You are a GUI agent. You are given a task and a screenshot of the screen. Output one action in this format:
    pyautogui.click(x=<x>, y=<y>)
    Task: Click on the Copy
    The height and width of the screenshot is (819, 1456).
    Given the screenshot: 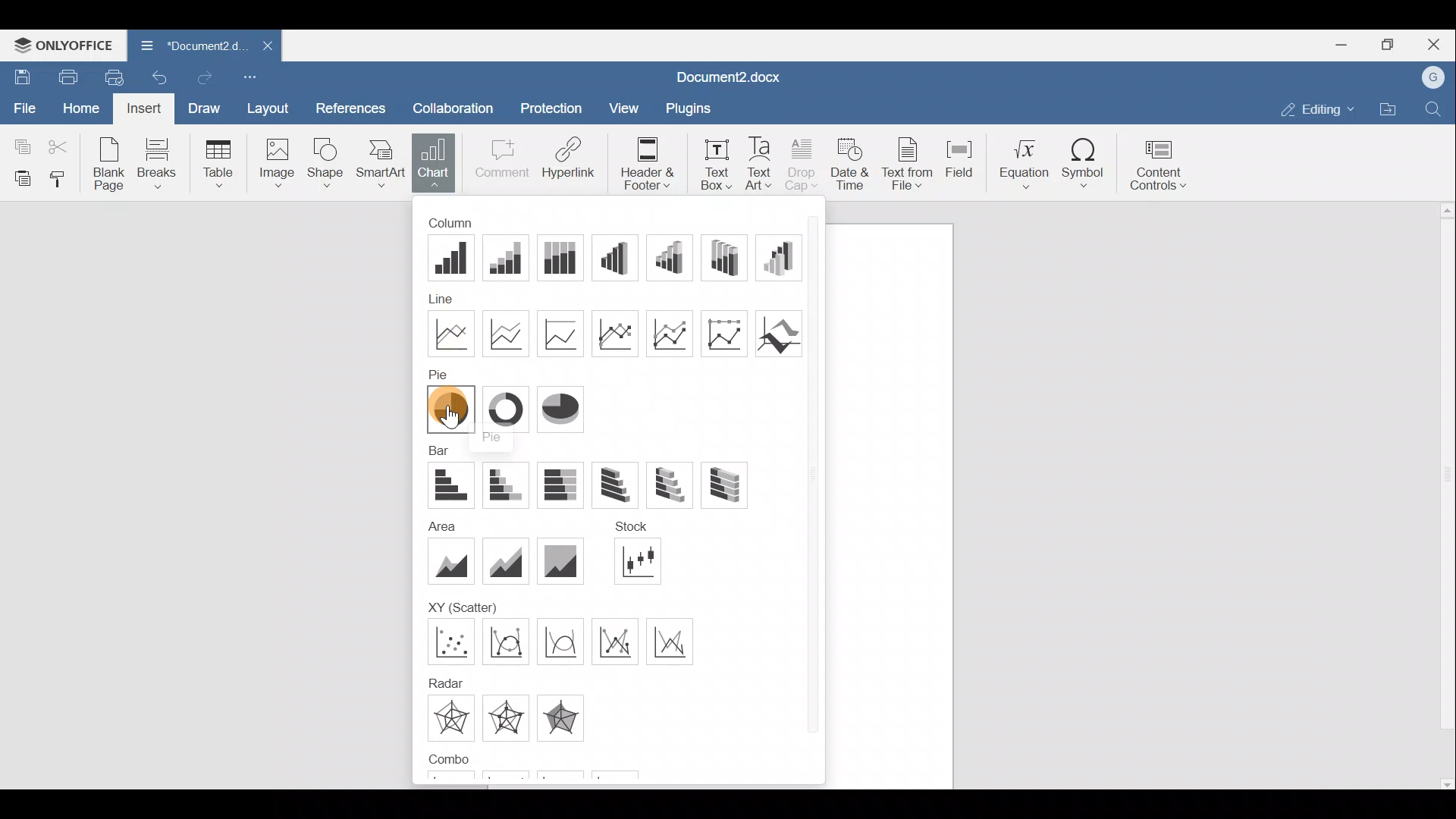 What is the action you would take?
    pyautogui.click(x=19, y=144)
    